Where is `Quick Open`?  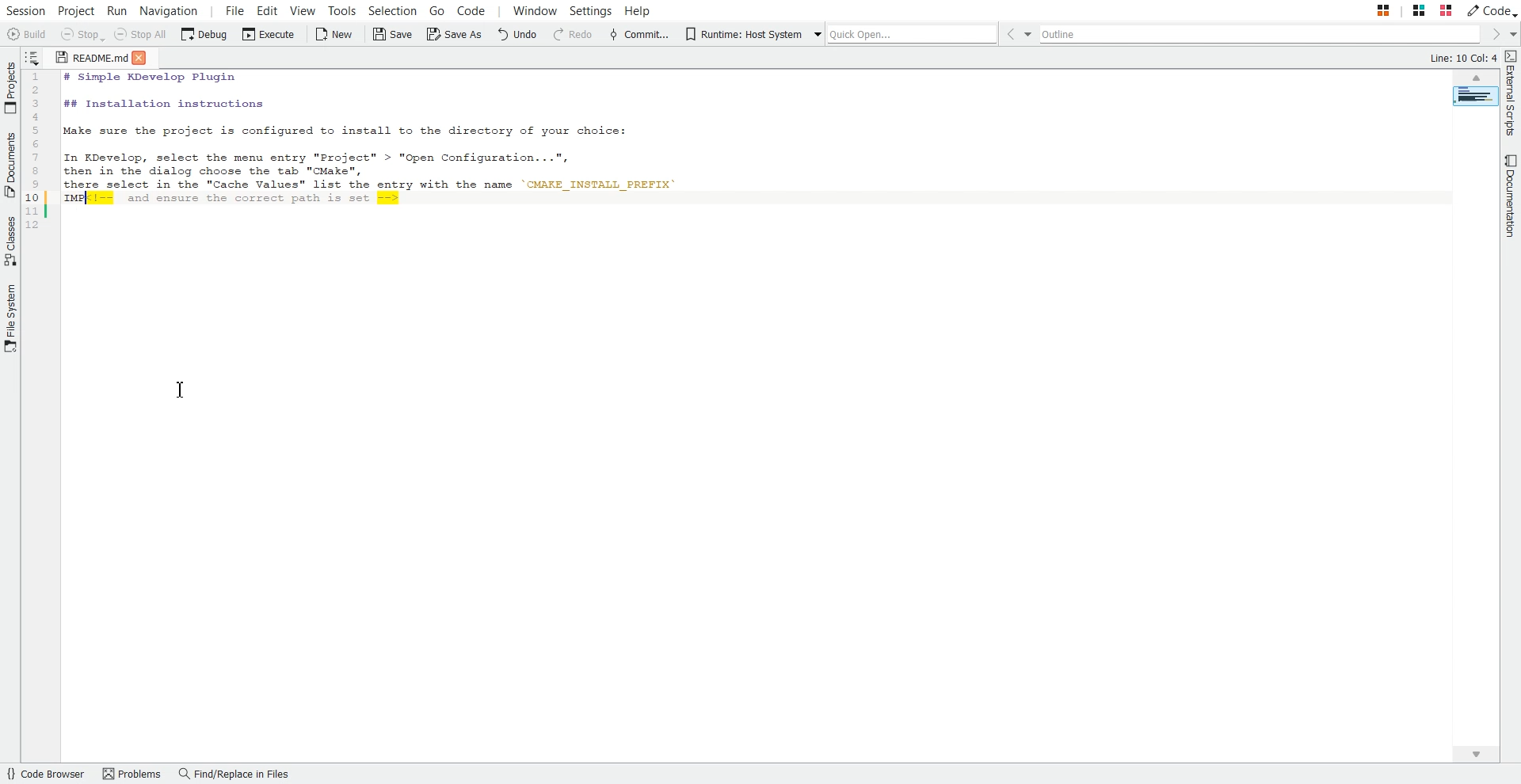
Quick Open is located at coordinates (907, 33).